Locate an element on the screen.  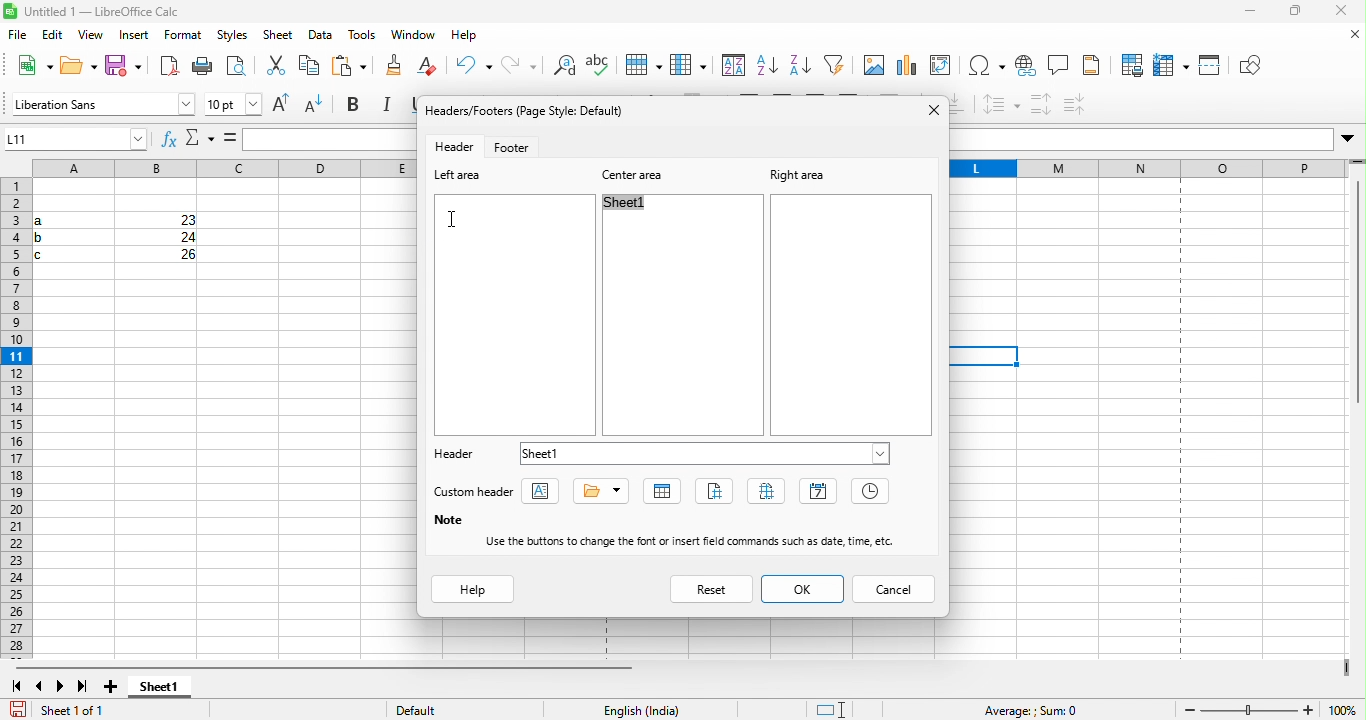
undo is located at coordinates (434, 68).